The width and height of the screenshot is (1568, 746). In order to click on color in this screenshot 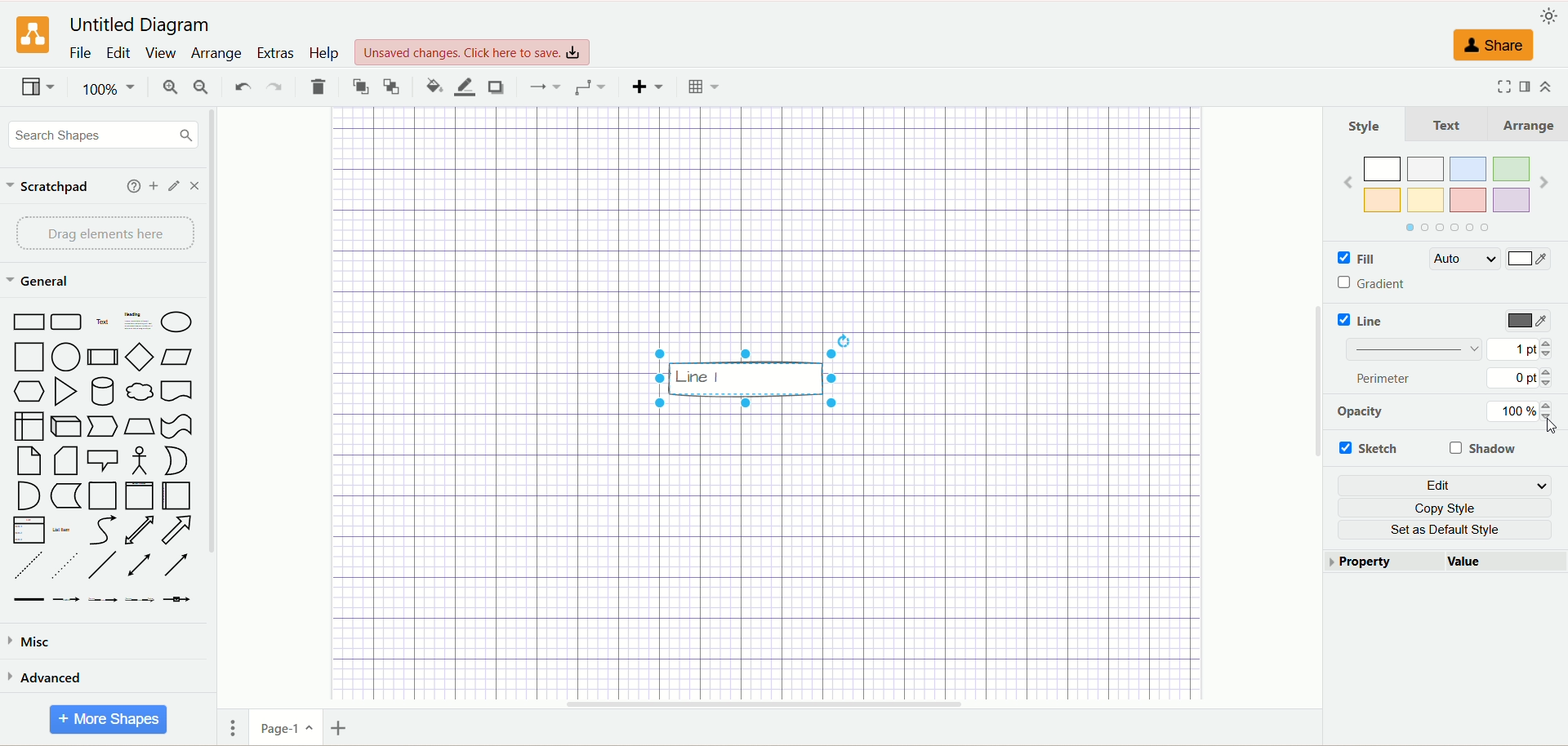, I will do `click(1530, 322)`.